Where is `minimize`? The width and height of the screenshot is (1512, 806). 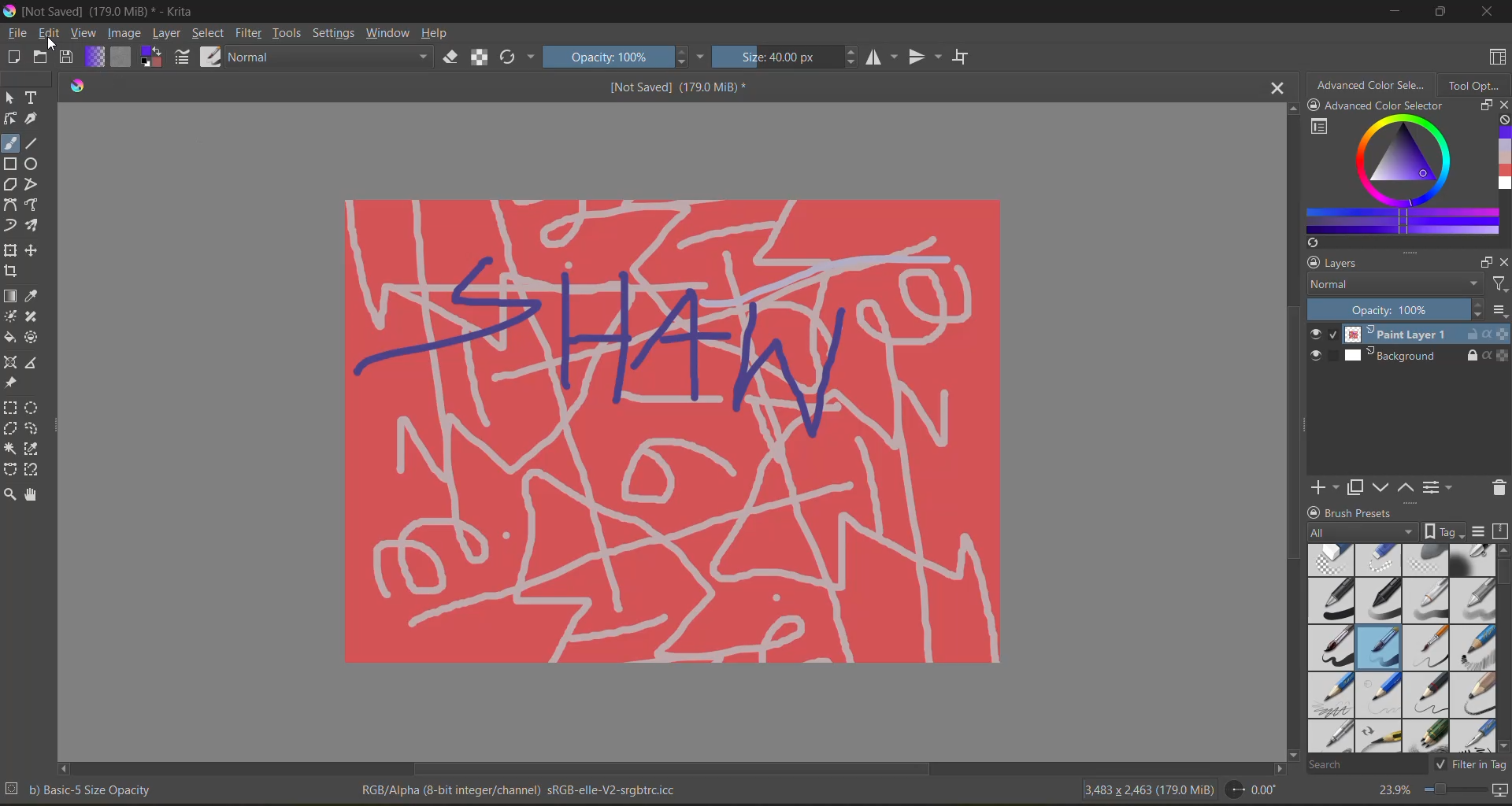
minimize is located at coordinates (1394, 11).